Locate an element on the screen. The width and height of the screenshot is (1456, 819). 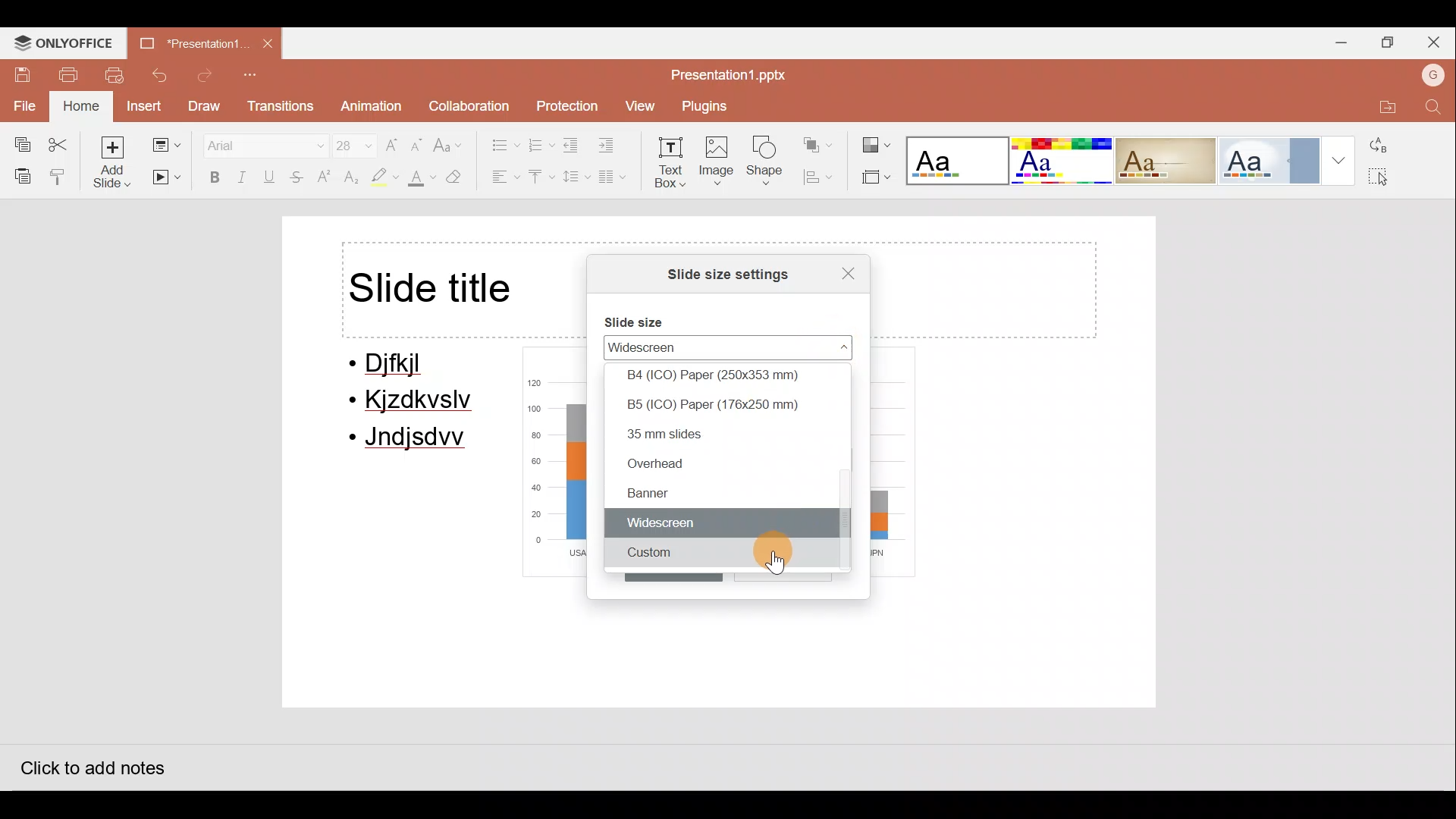
Numbering is located at coordinates (541, 143).